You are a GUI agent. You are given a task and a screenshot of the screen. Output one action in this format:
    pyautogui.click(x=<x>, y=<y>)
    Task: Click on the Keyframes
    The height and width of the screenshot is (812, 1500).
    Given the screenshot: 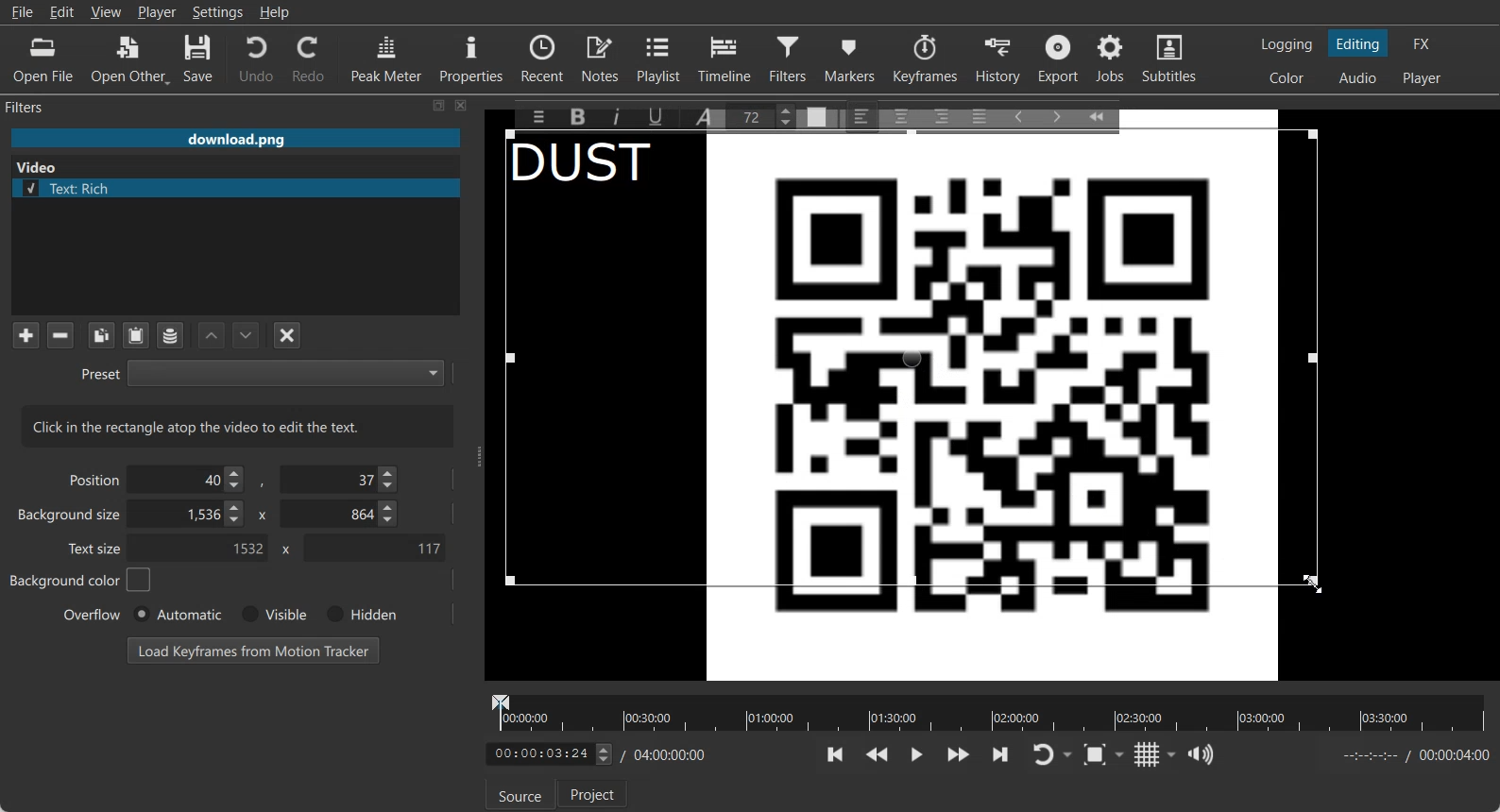 What is the action you would take?
    pyautogui.click(x=925, y=58)
    